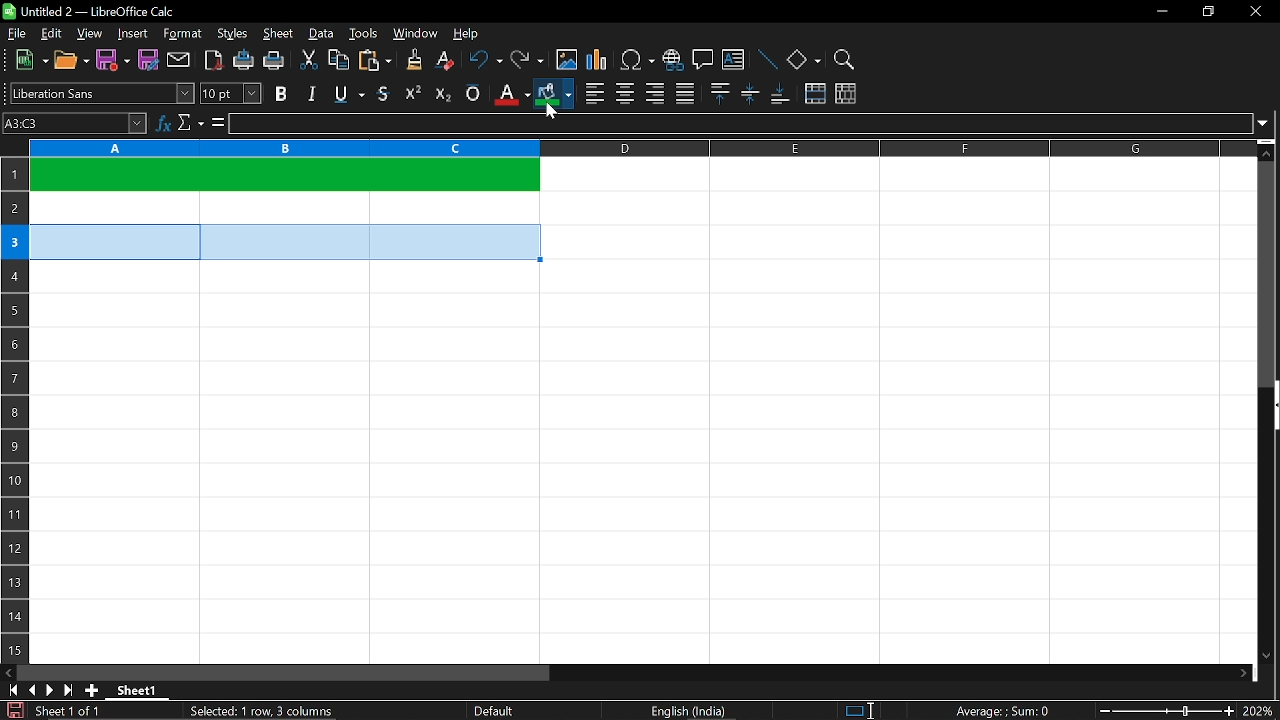  What do you see at coordinates (1245, 672) in the screenshot?
I see `move right` at bounding box center [1245, 672].